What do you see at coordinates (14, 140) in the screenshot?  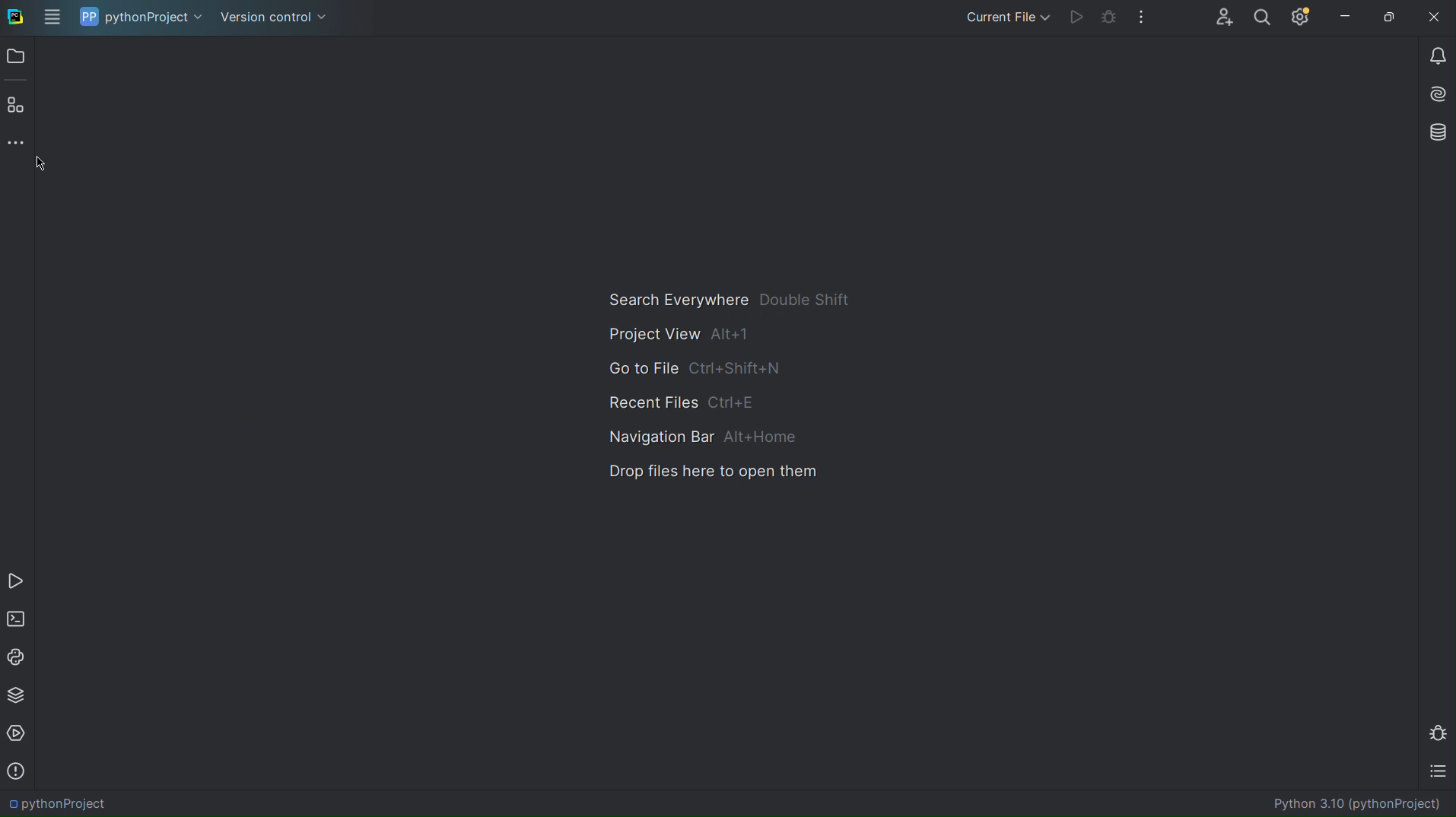 I see `More` at bounding box center [14, 140].